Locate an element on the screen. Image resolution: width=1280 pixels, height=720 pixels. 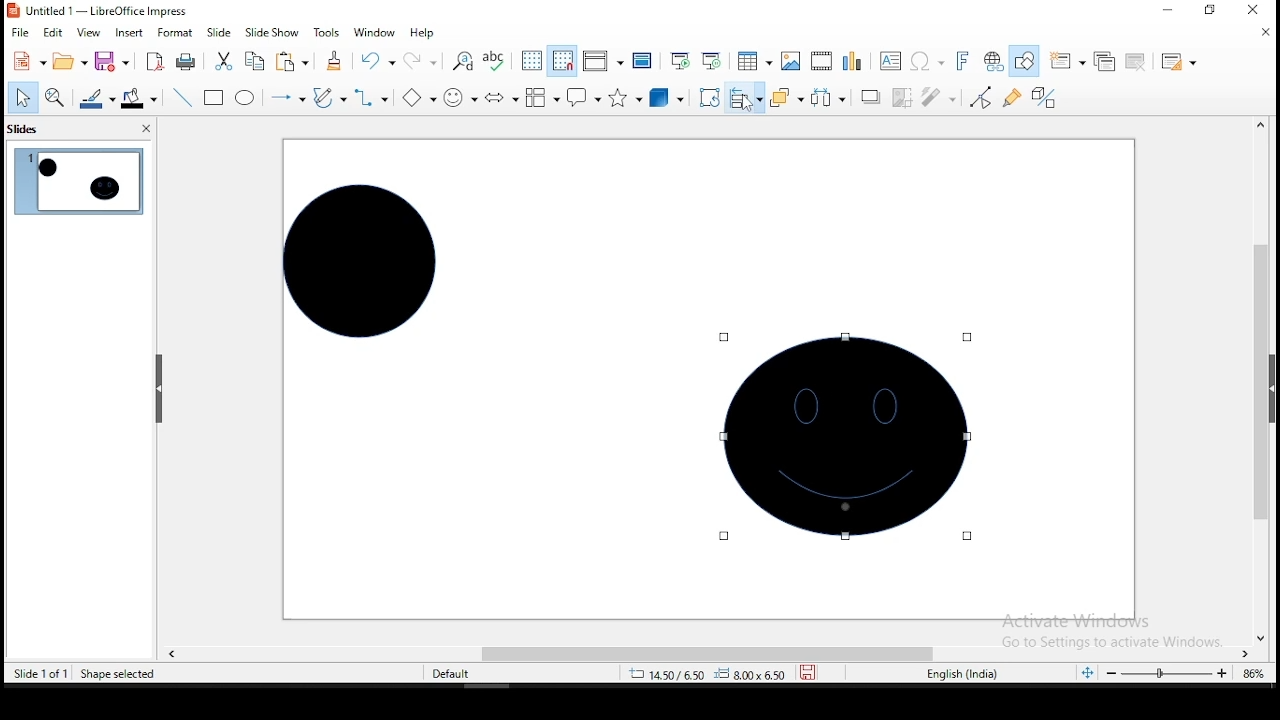
12.58/3.97 is located at coordinates (673, 673).